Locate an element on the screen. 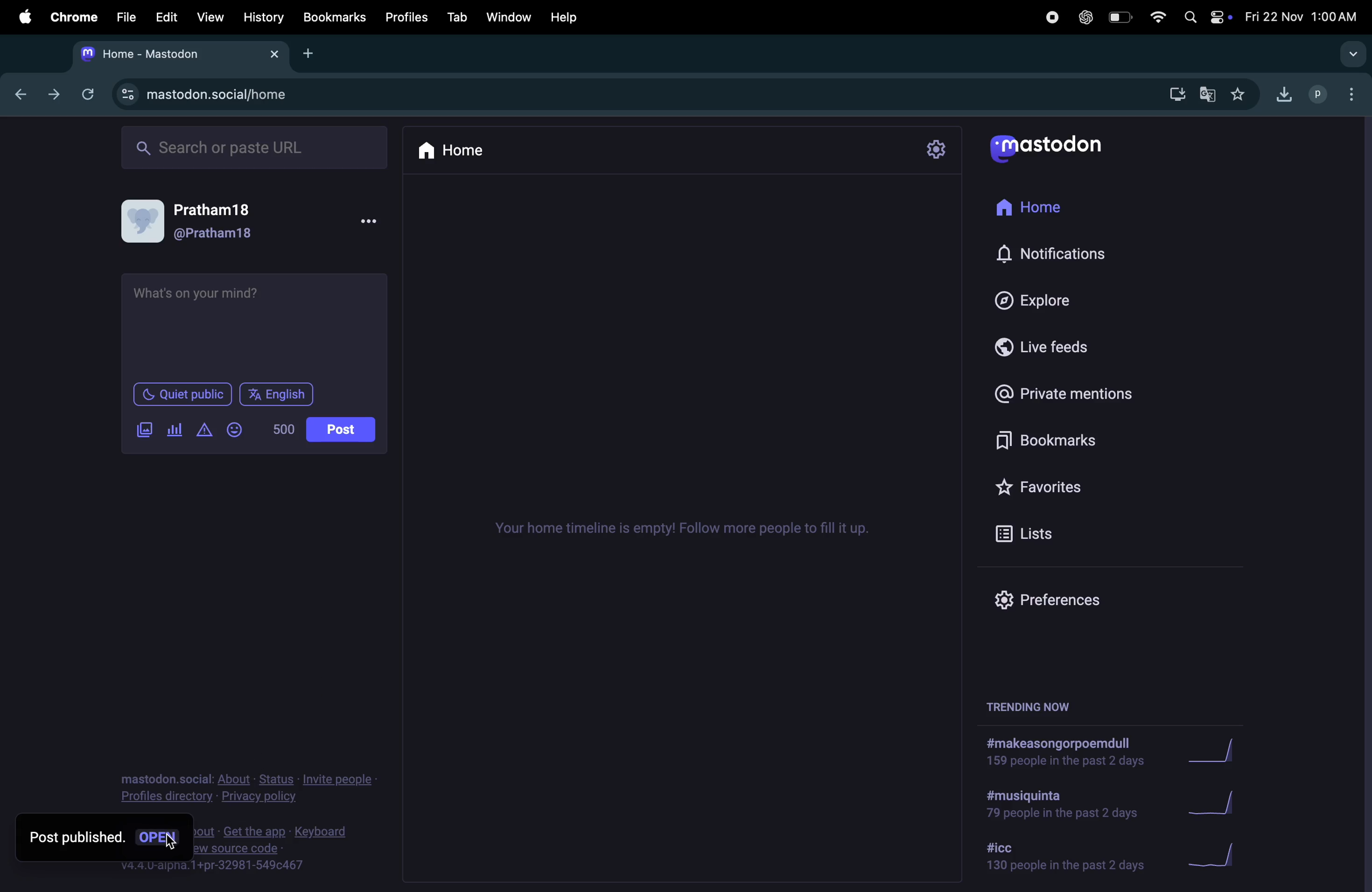  mastodon.social is located at coordinates (165, 778).